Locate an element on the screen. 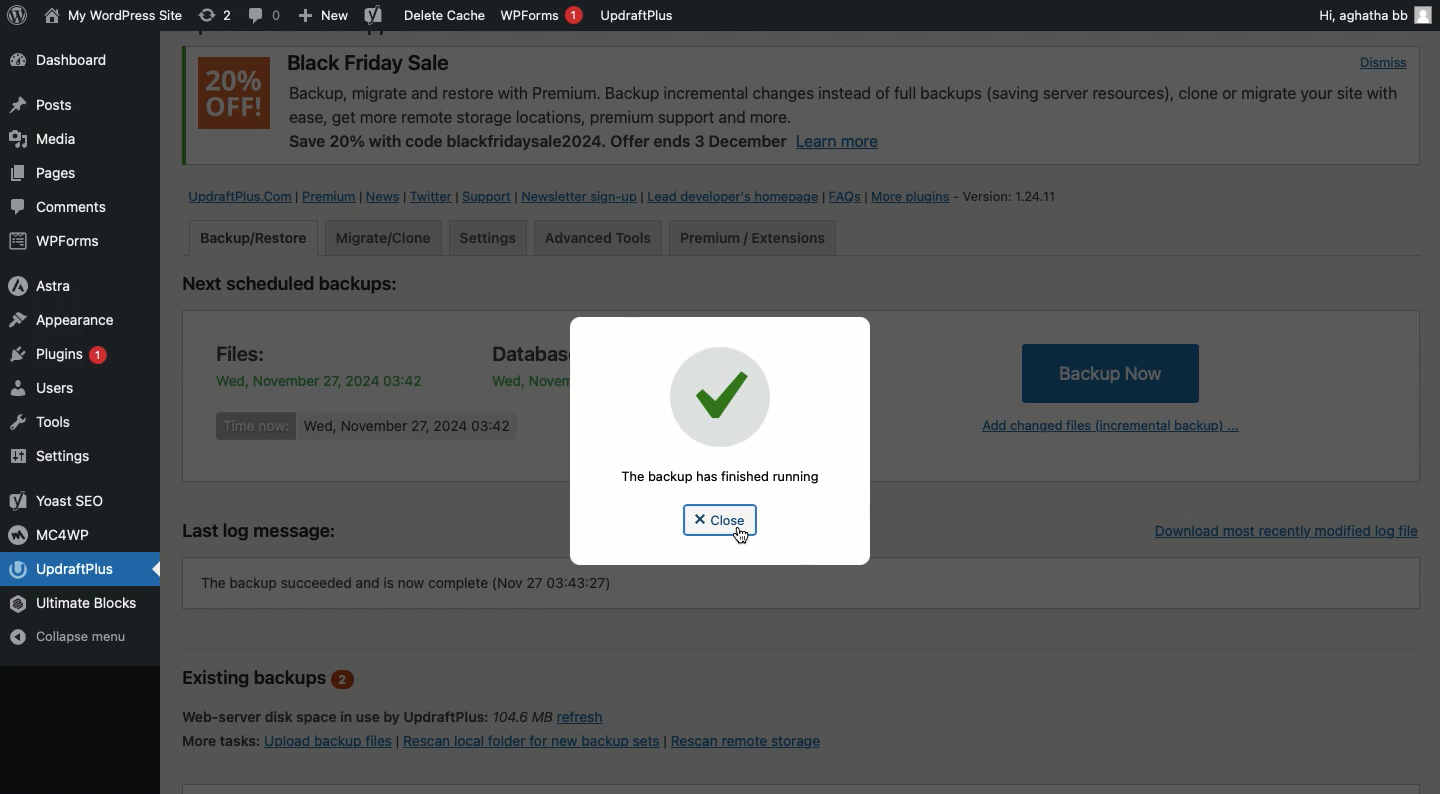  Backup, migrate and restore with Premium. Backup incremental changes instead of full backups (saving server resources), clone or migrate your site withease, get more remote storage locations, premium support and more. Save 20% with code blackfridaysale2024. Offer ends 3 December Learn more is located at coordinates (846, 121).